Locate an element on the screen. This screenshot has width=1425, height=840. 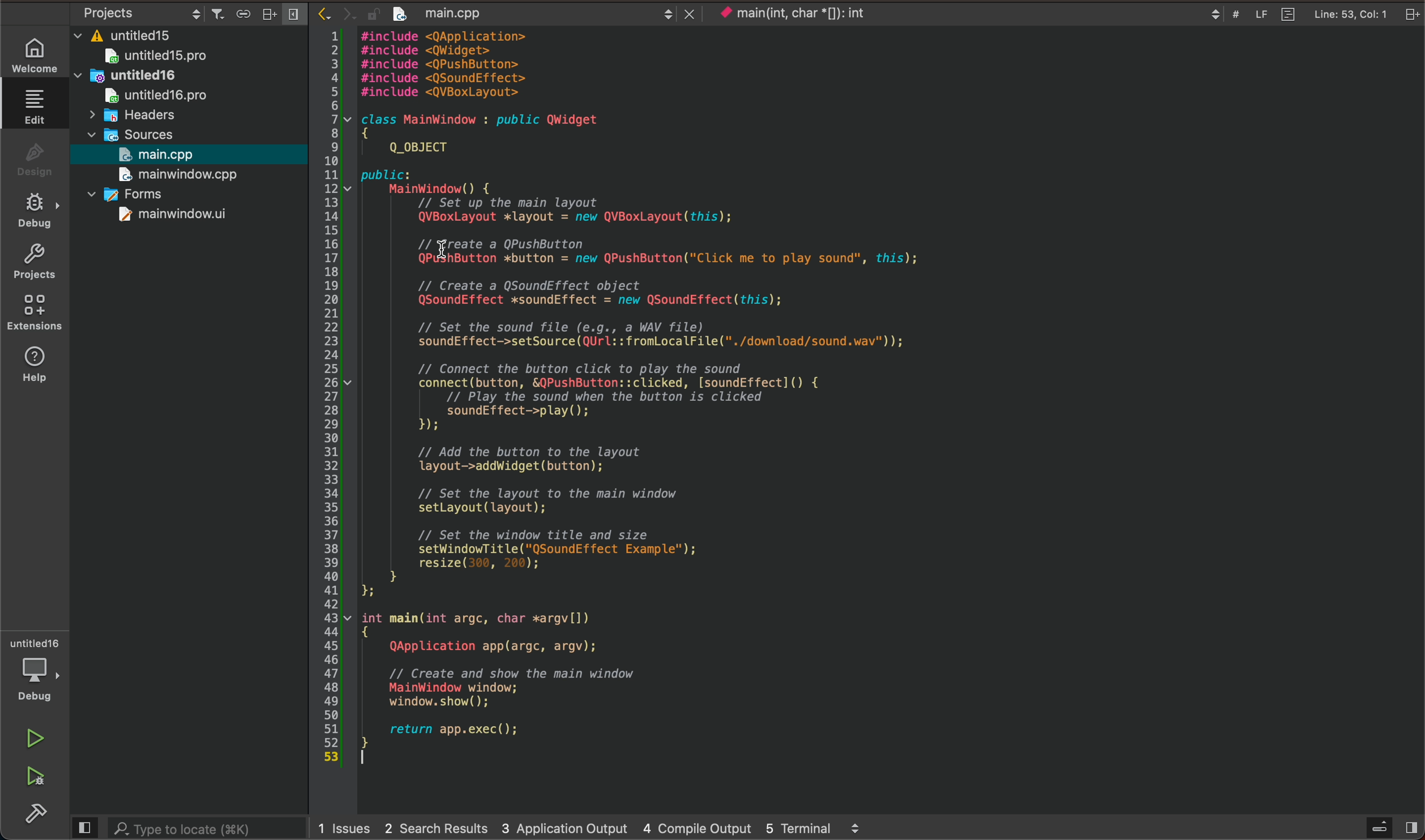
current context is located at coordinates (808, 14).